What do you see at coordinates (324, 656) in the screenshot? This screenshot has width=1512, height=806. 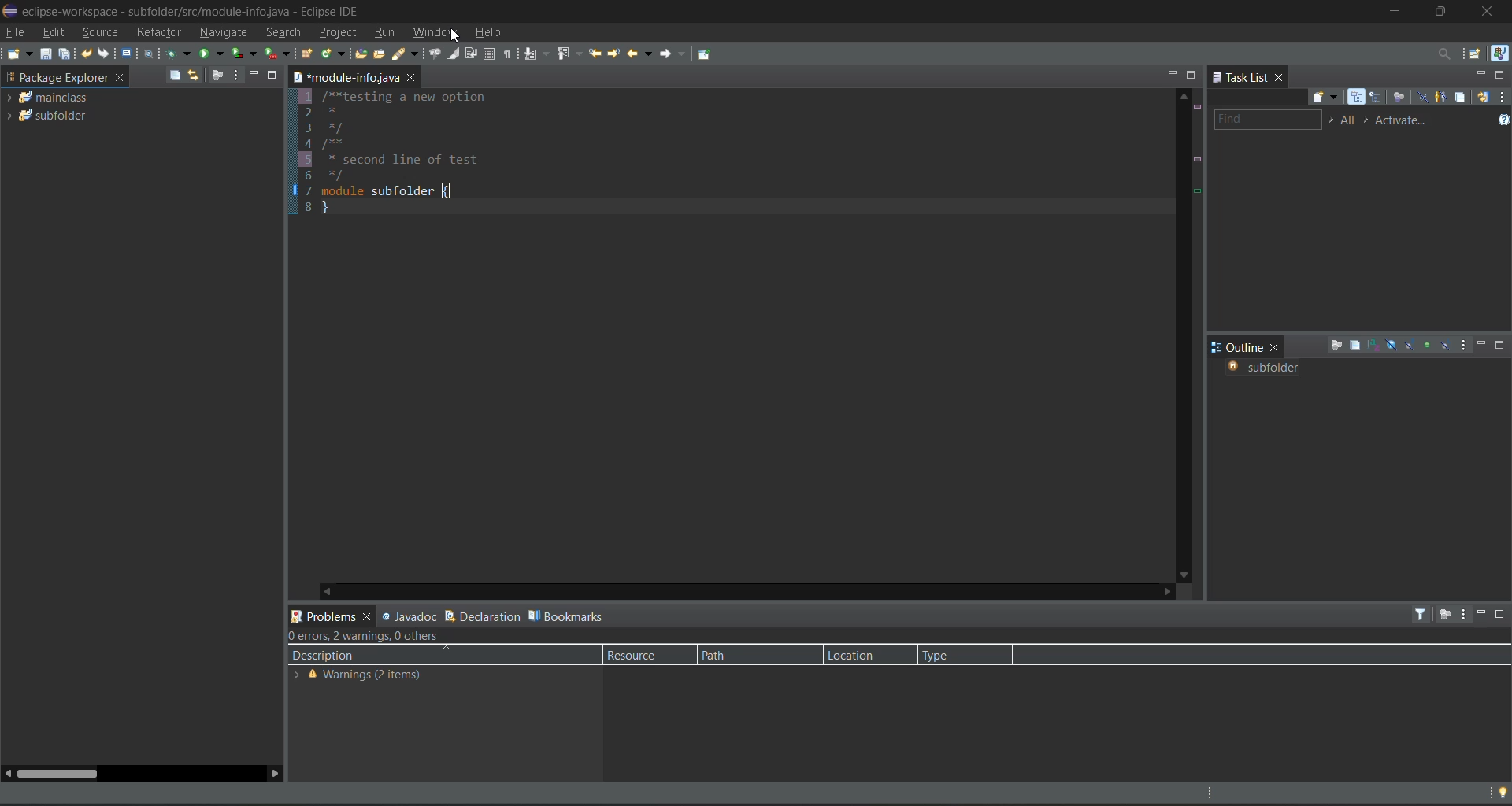 I see `description` at bounding box center [324, 656].